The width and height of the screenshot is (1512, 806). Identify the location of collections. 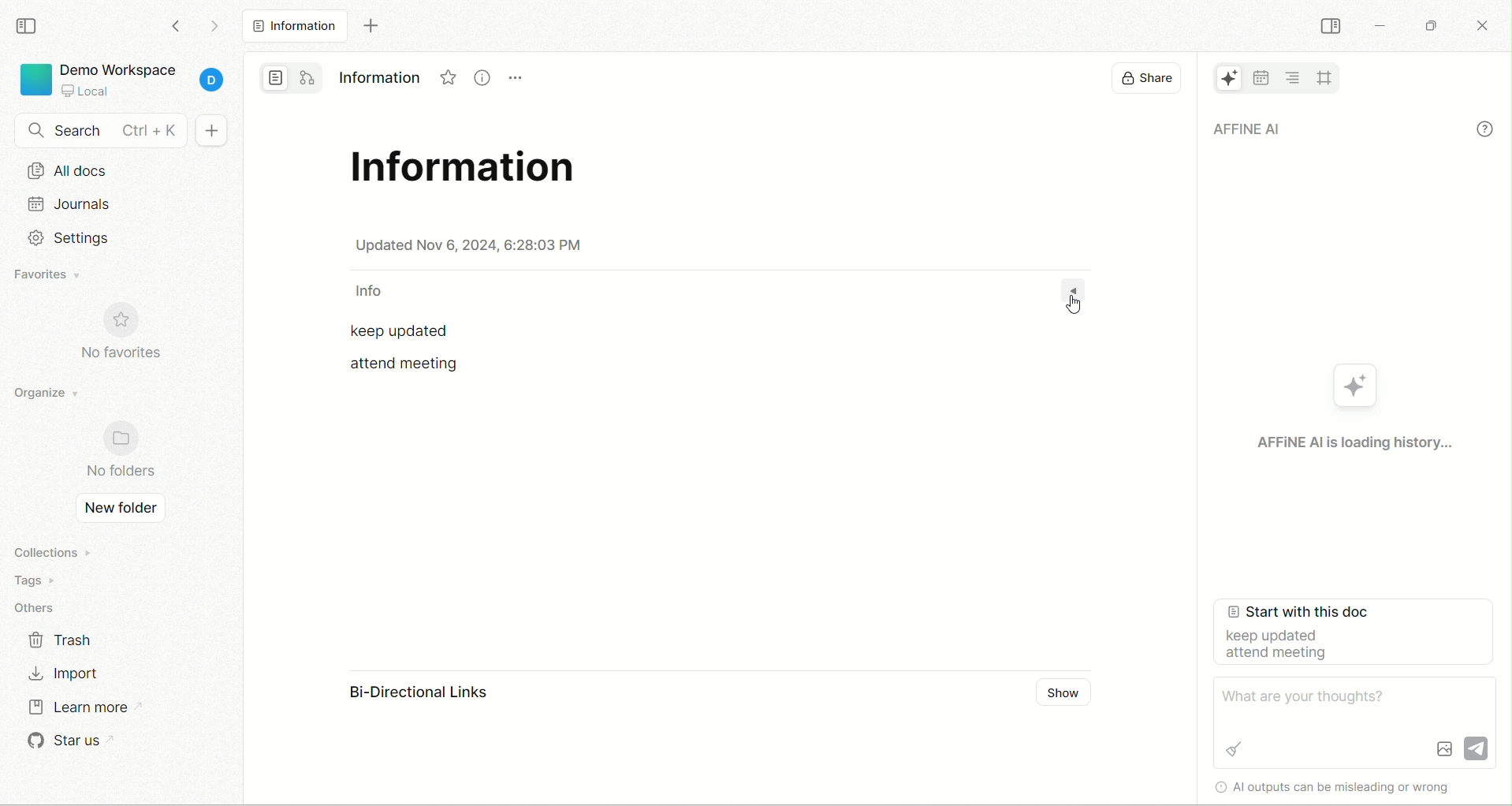
(54, 550).